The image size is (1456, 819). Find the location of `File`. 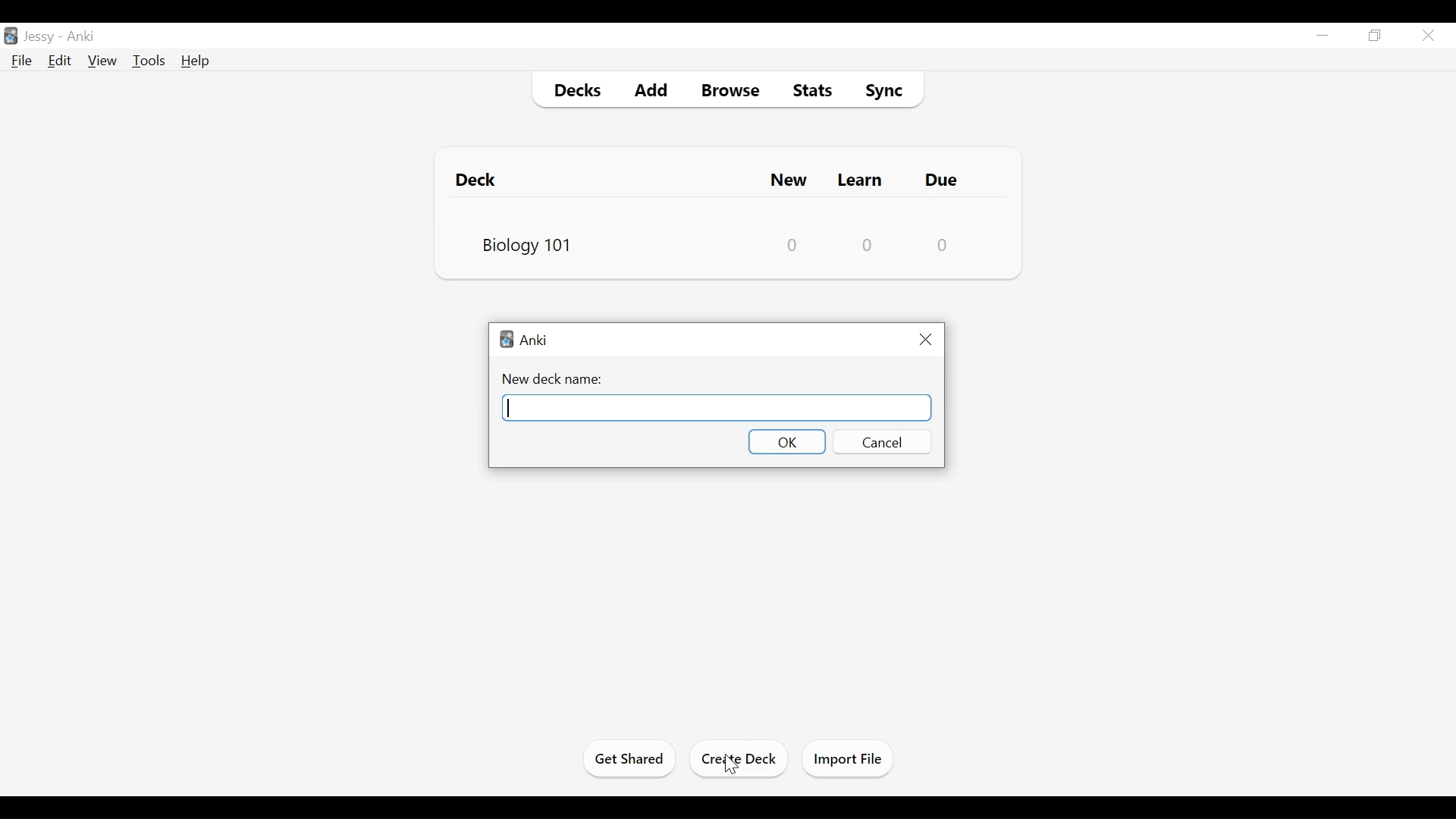

File is located at coordinates (24, 61).